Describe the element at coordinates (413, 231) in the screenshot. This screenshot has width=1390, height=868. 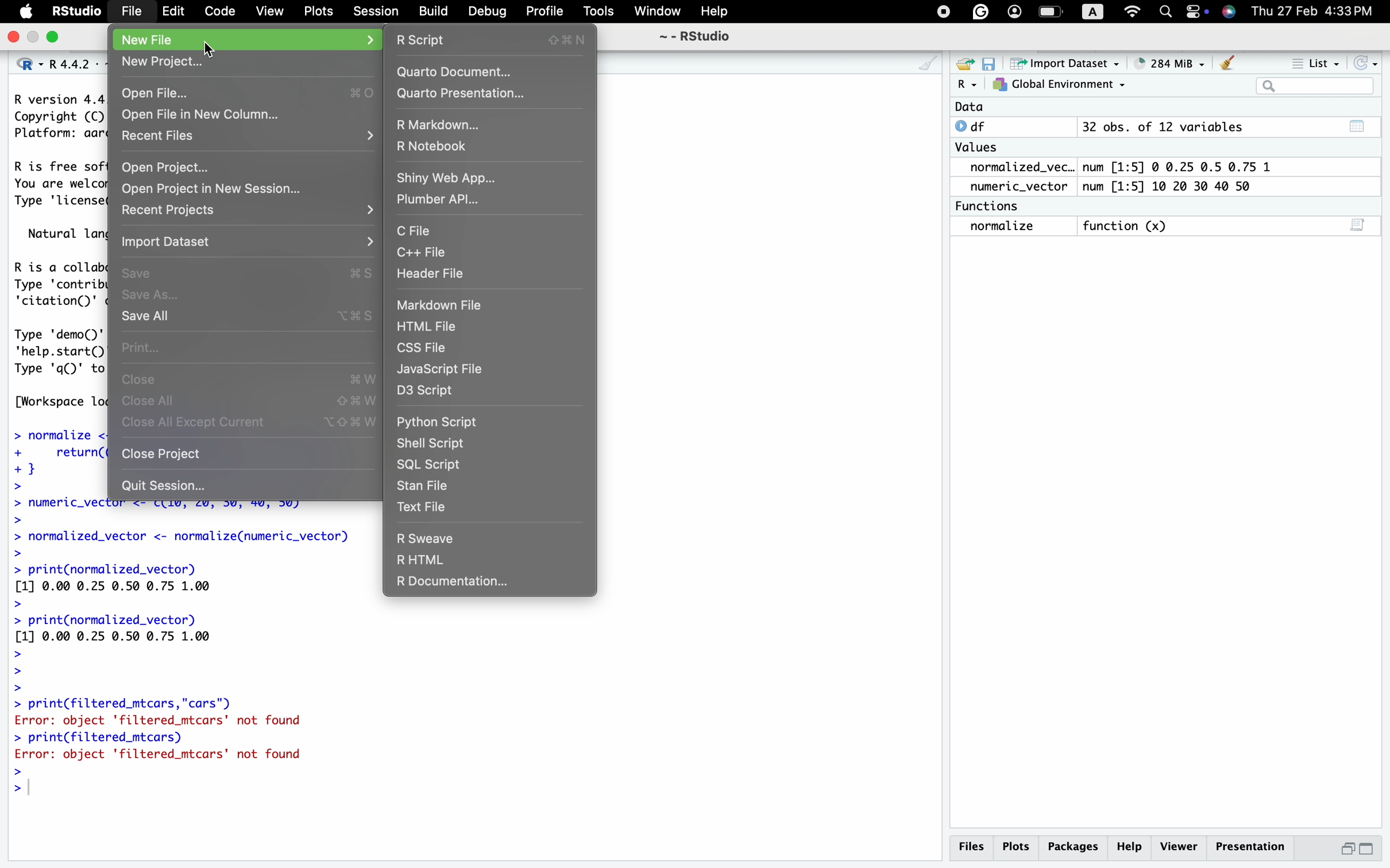
I see `CFile` at that location.